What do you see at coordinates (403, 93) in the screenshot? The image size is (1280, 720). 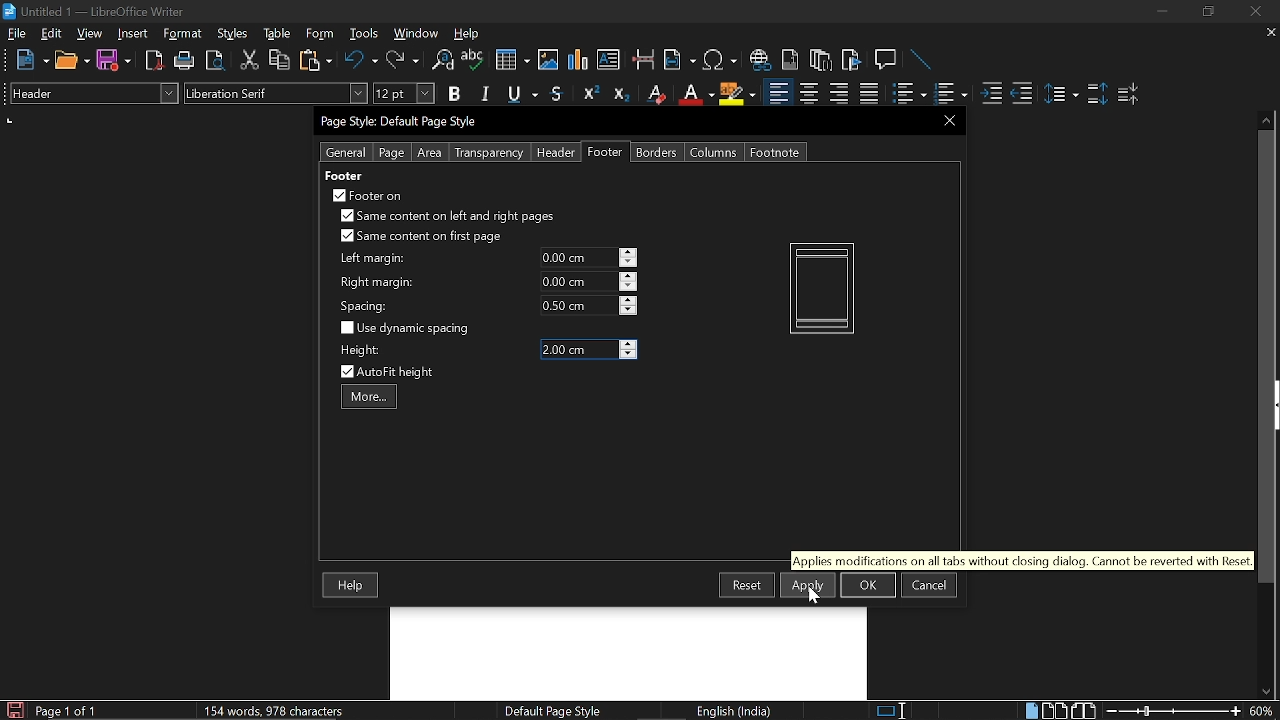 I see `Text size` at bounding box center [403, 93].